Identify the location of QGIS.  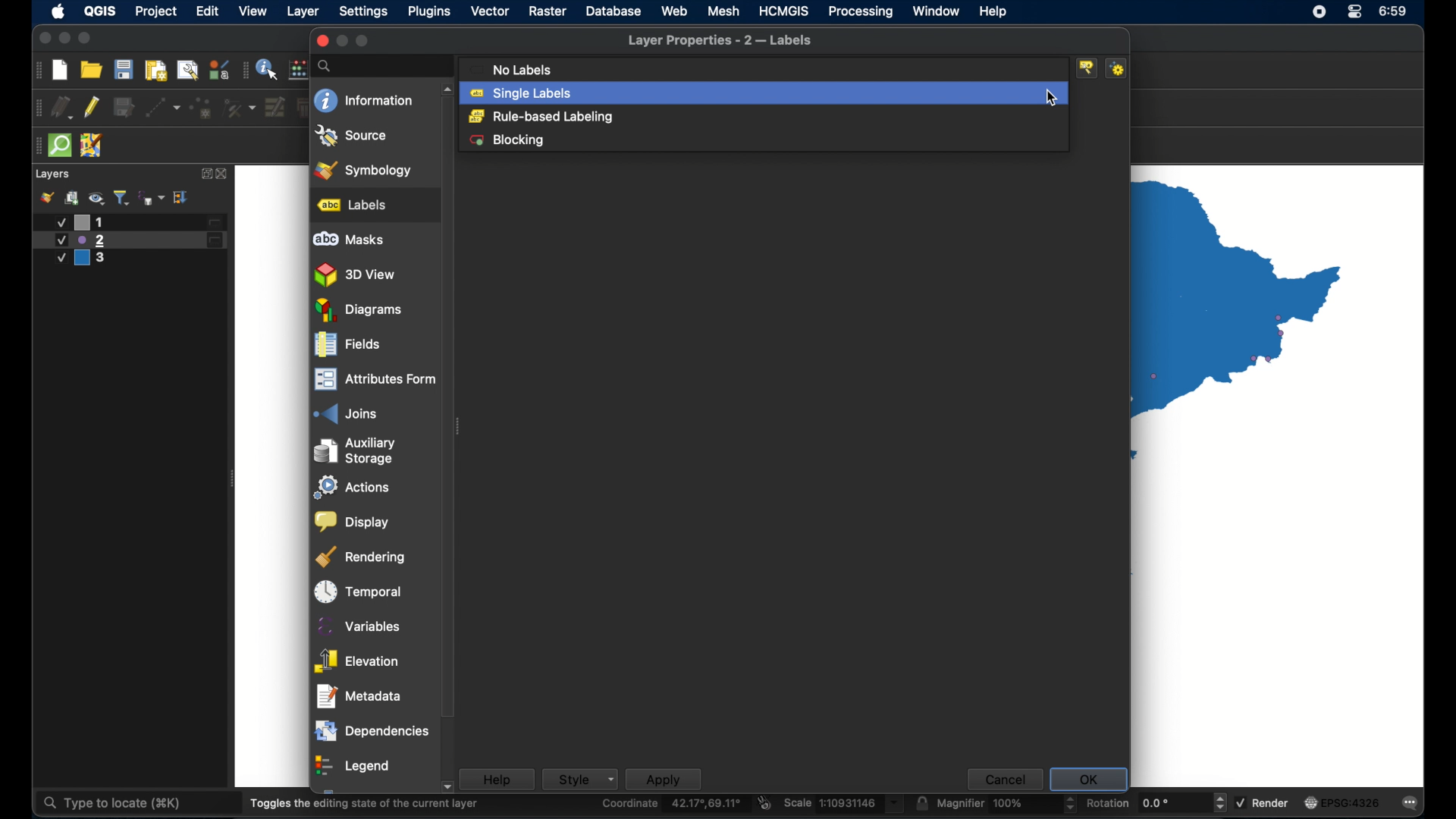
(102, 11).